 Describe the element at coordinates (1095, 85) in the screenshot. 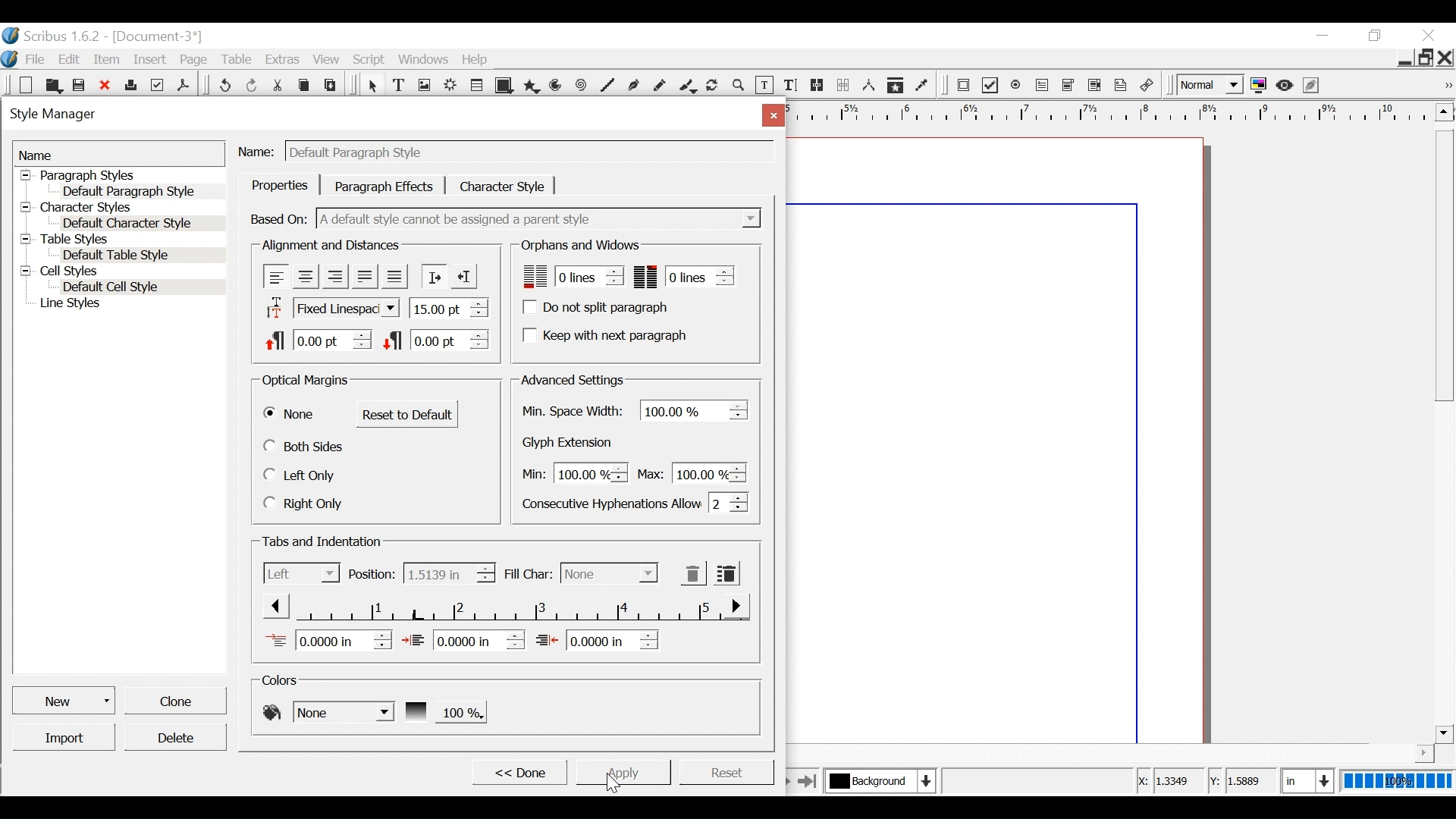

I see `PDF List Box` at that location.